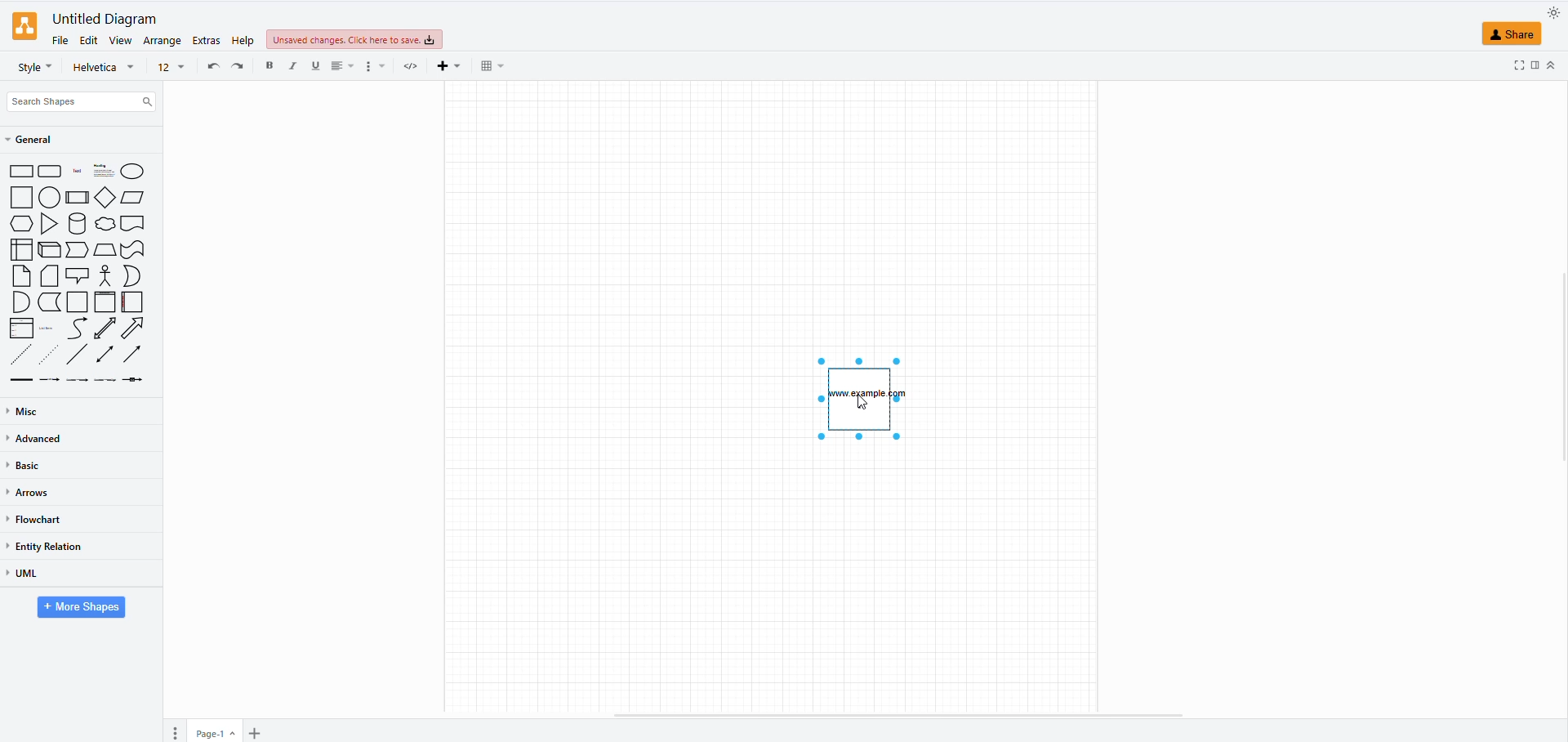 The width and height of the screenshot is (1568, 742). Describe the element at coordinates (90, 40) in the screenshot. I see `edit` at that location.